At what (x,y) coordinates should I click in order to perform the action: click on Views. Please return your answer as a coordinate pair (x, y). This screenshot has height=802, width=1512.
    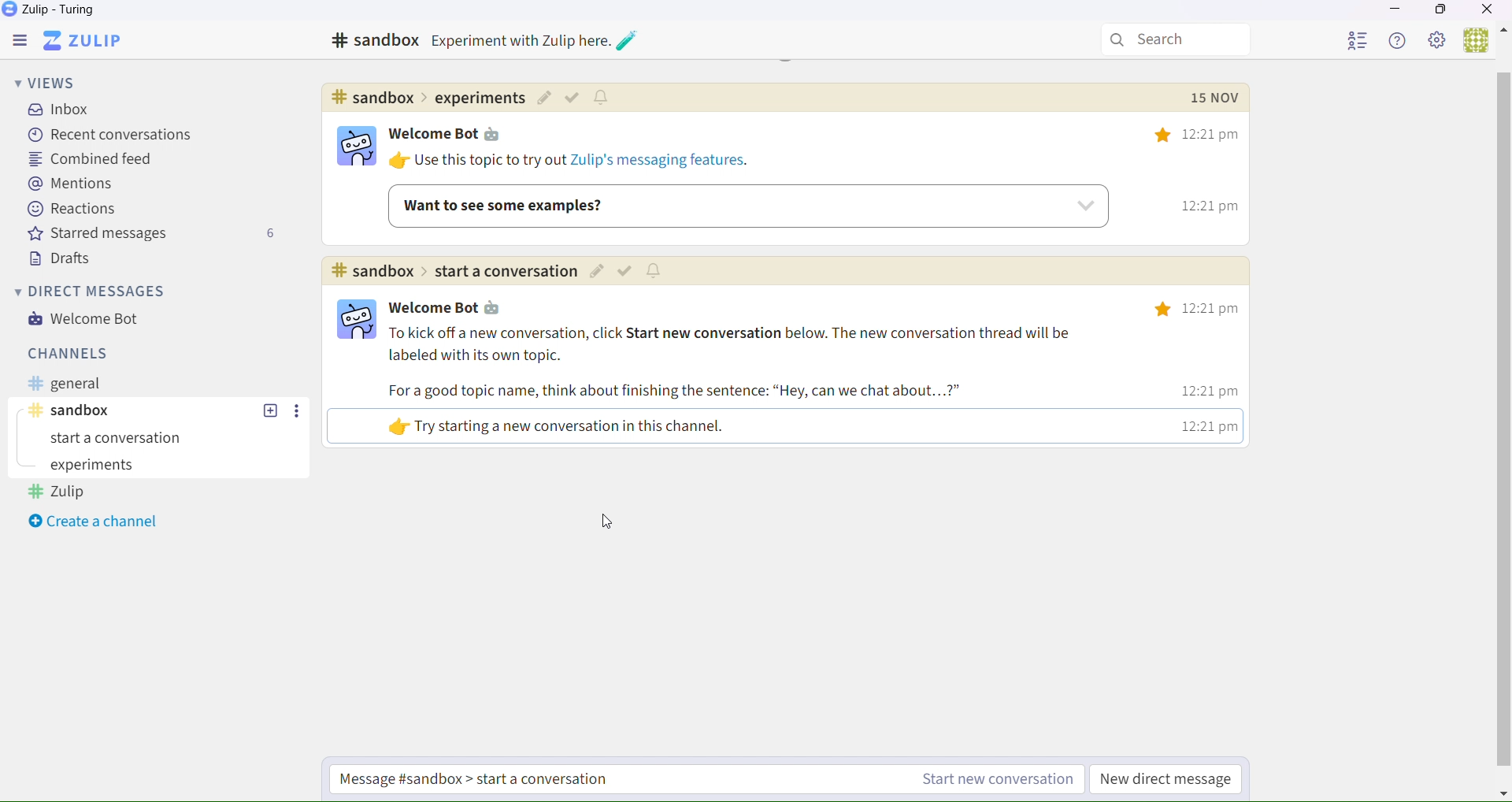
    Looking at the image, I should click on (48, 81).